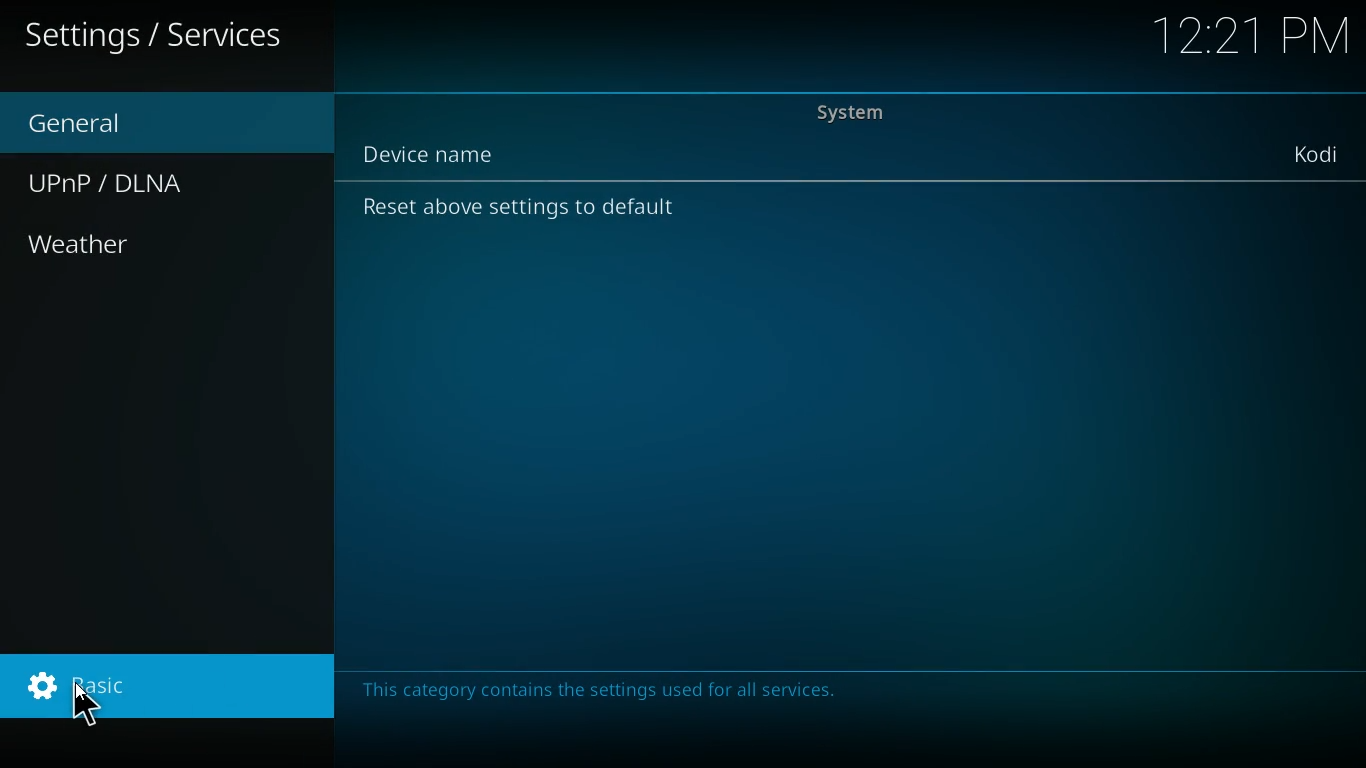 This screenshot has height=768, width=1366. I want to click on upnp / dlna, so click(134, 185).